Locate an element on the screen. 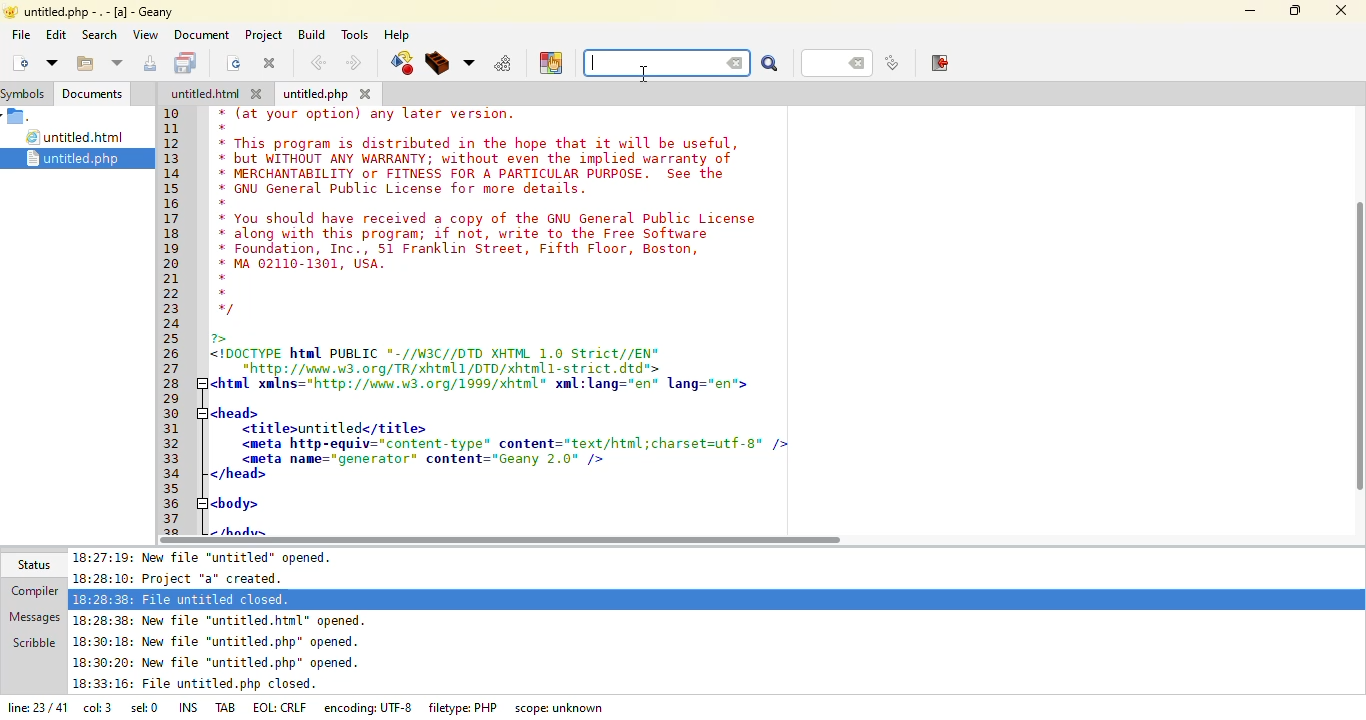 Image resolution: width=1366 pixels, height=720 pixels. tools is located at coordinates (354, 34).